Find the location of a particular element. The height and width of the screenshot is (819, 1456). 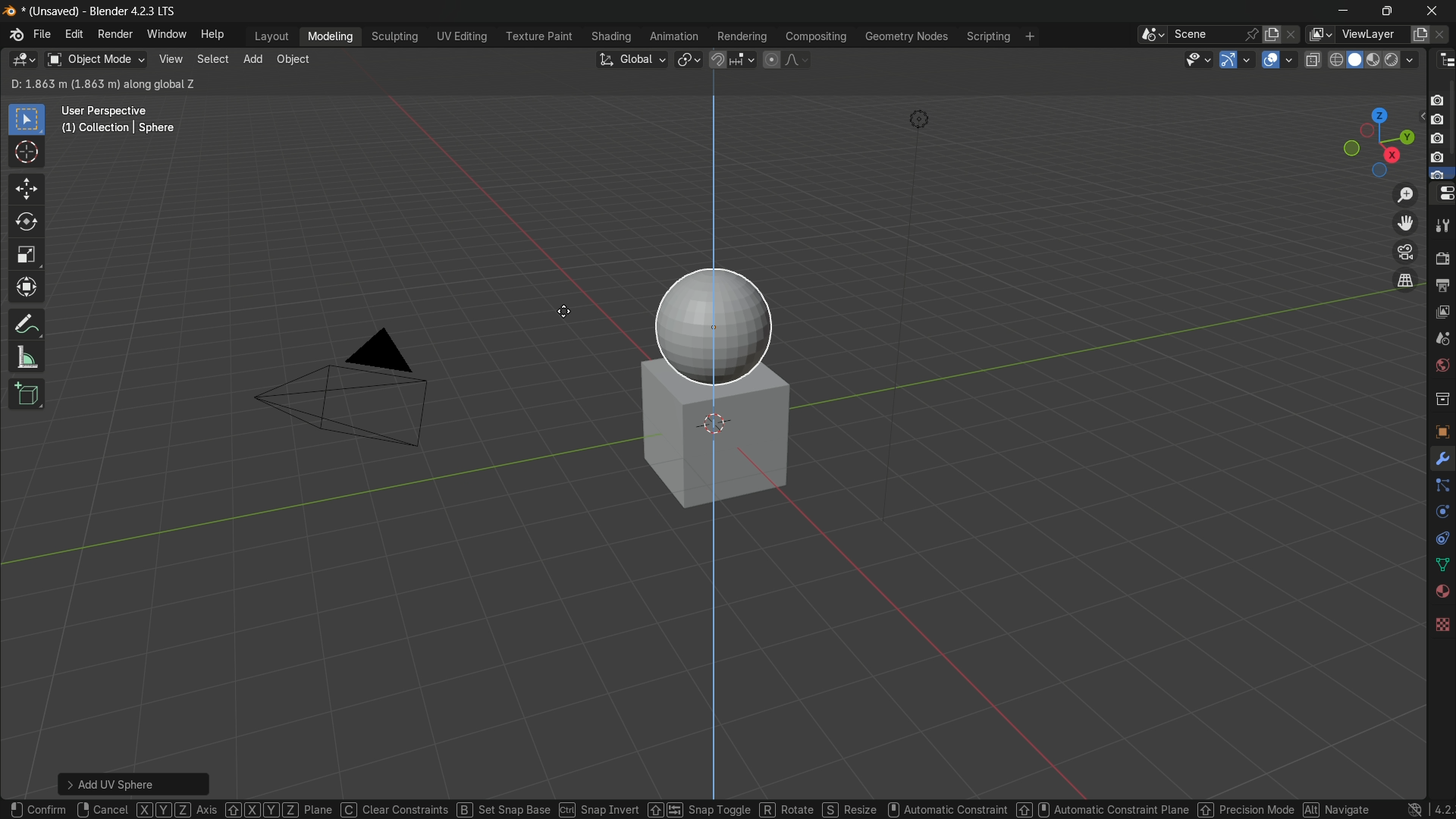

scale is located at coordinates (28, 256).